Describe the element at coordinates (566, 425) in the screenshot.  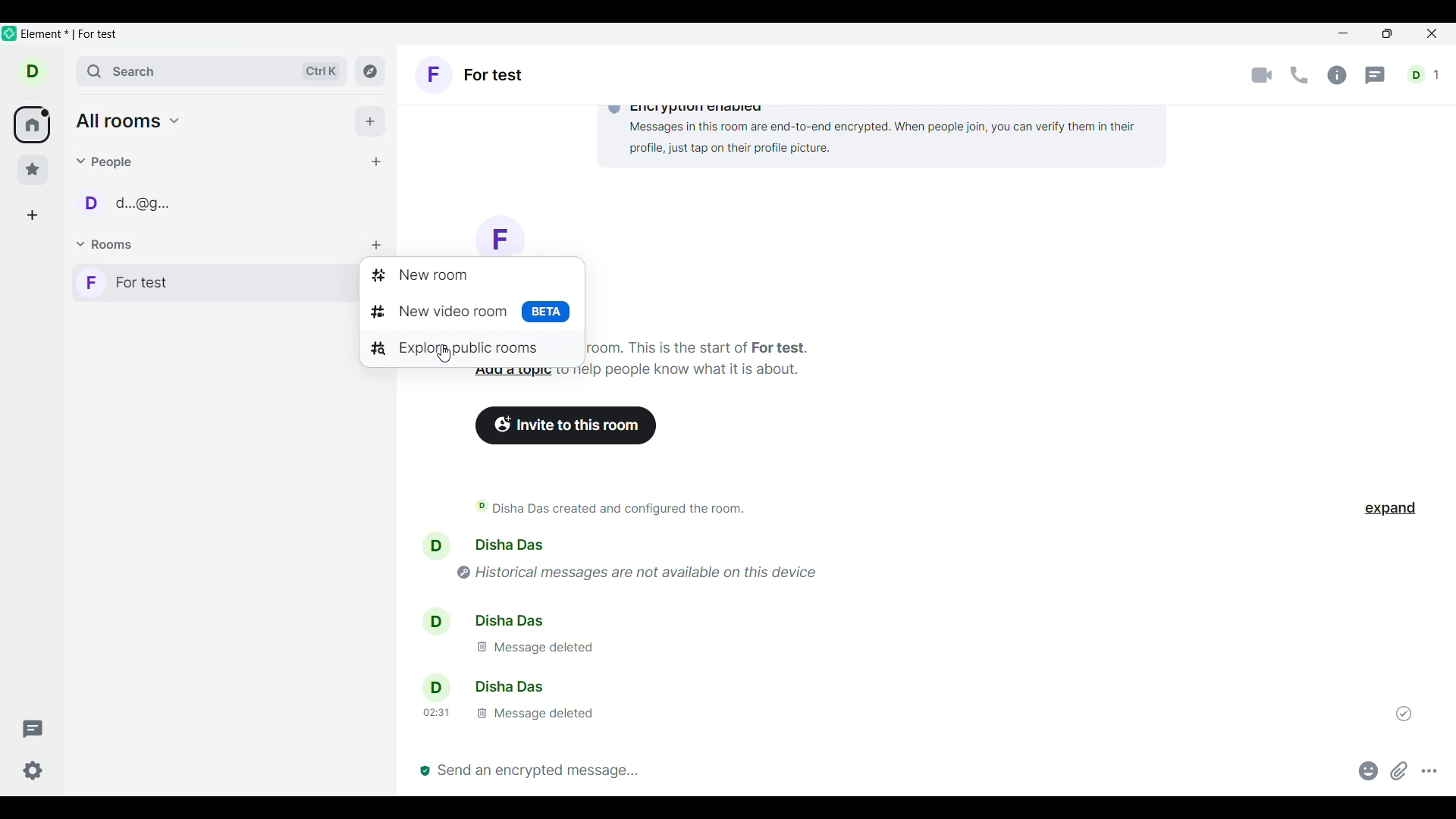
I see `Invite to this room` at that location.